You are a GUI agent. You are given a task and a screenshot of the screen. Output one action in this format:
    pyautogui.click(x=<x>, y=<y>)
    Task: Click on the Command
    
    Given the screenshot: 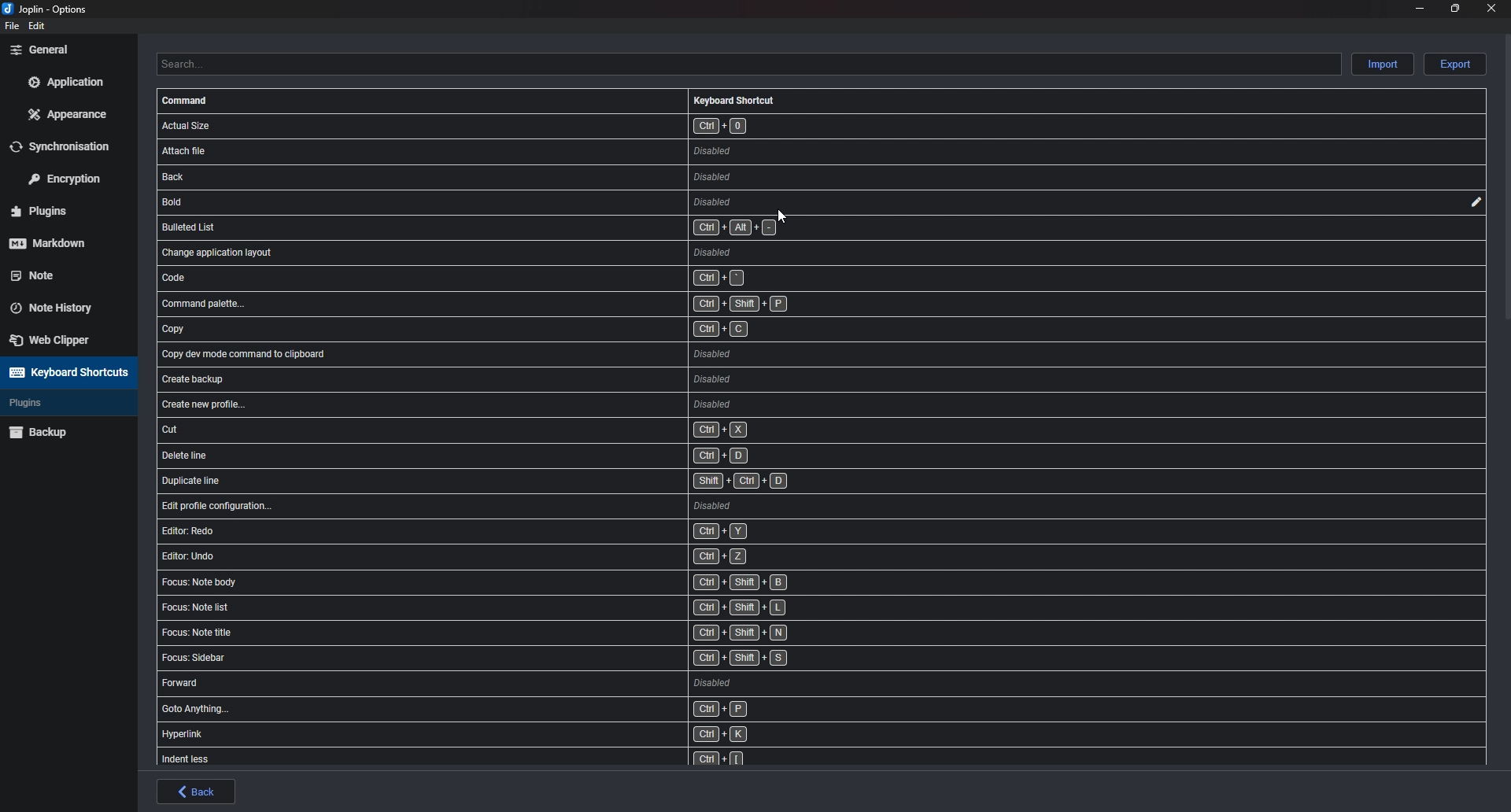 What is the action you would take?
    pyautogui.click(x=187, y=101)
    